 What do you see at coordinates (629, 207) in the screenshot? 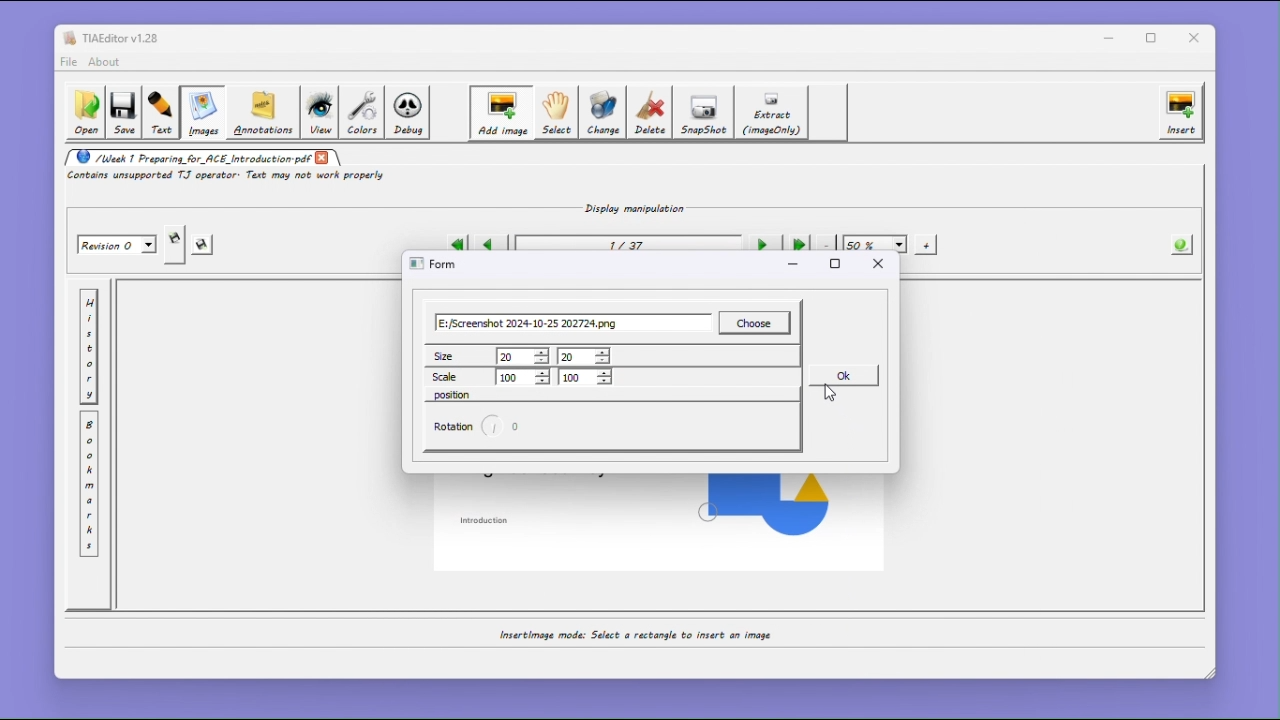
I see `Display manipulation` at bounding box center [629, 207].